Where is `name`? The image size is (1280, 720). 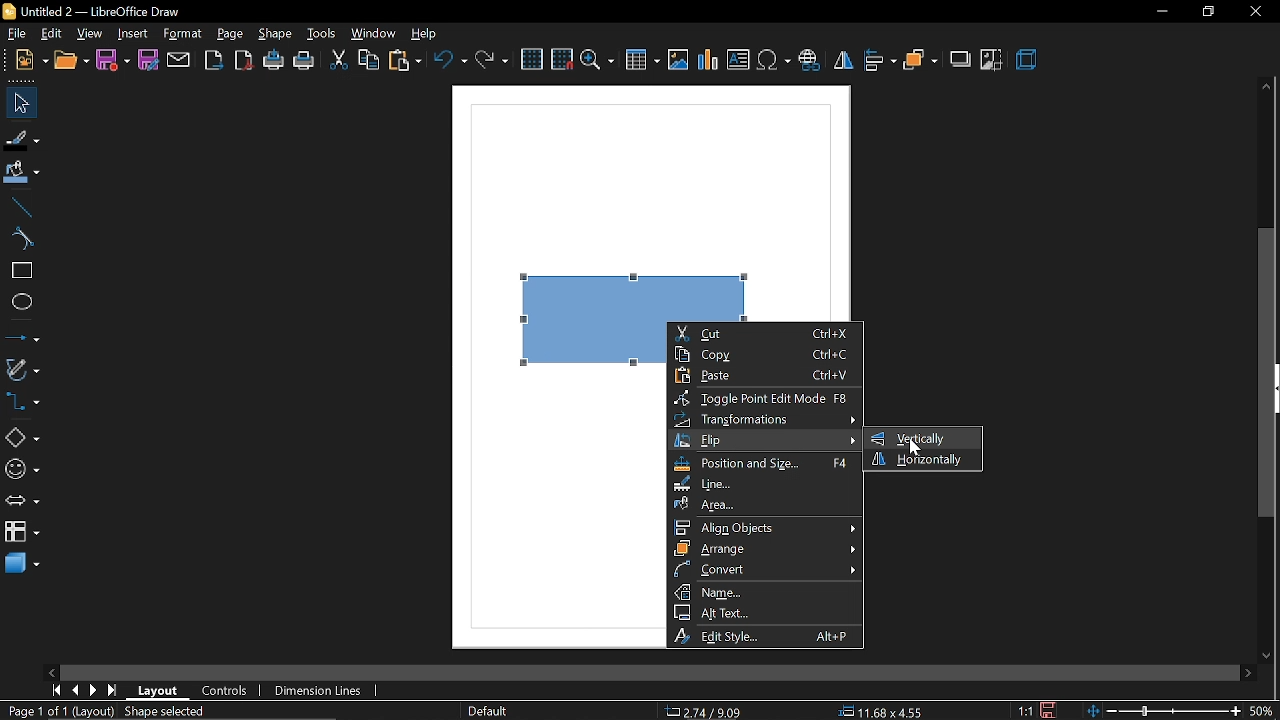 name is located at coordinates (766, 591).